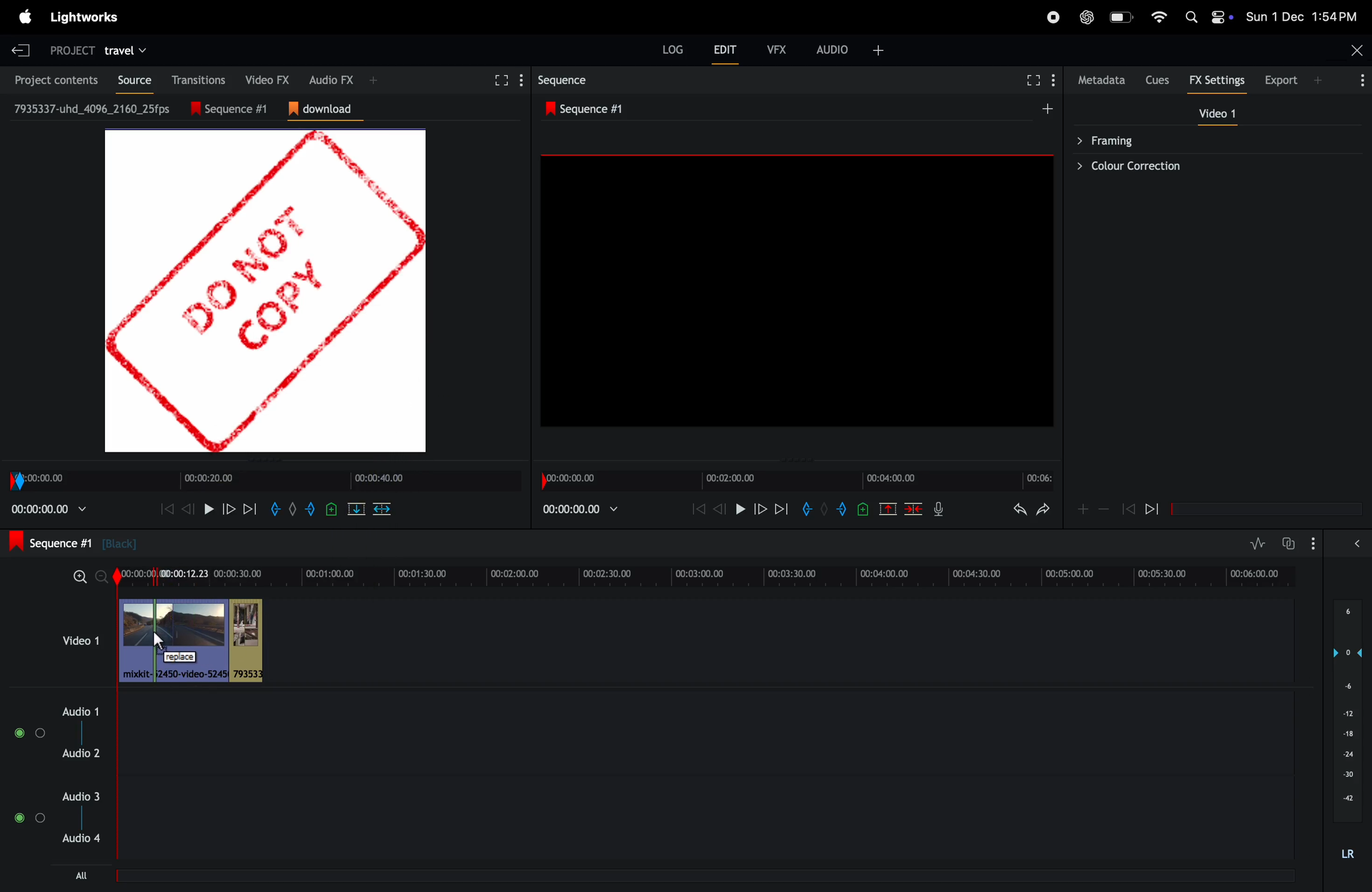 This screenshot has height=892, width=1372. Describe the element at coordinates (720, 508) in the screenshot. I see `previous frame` at that location.